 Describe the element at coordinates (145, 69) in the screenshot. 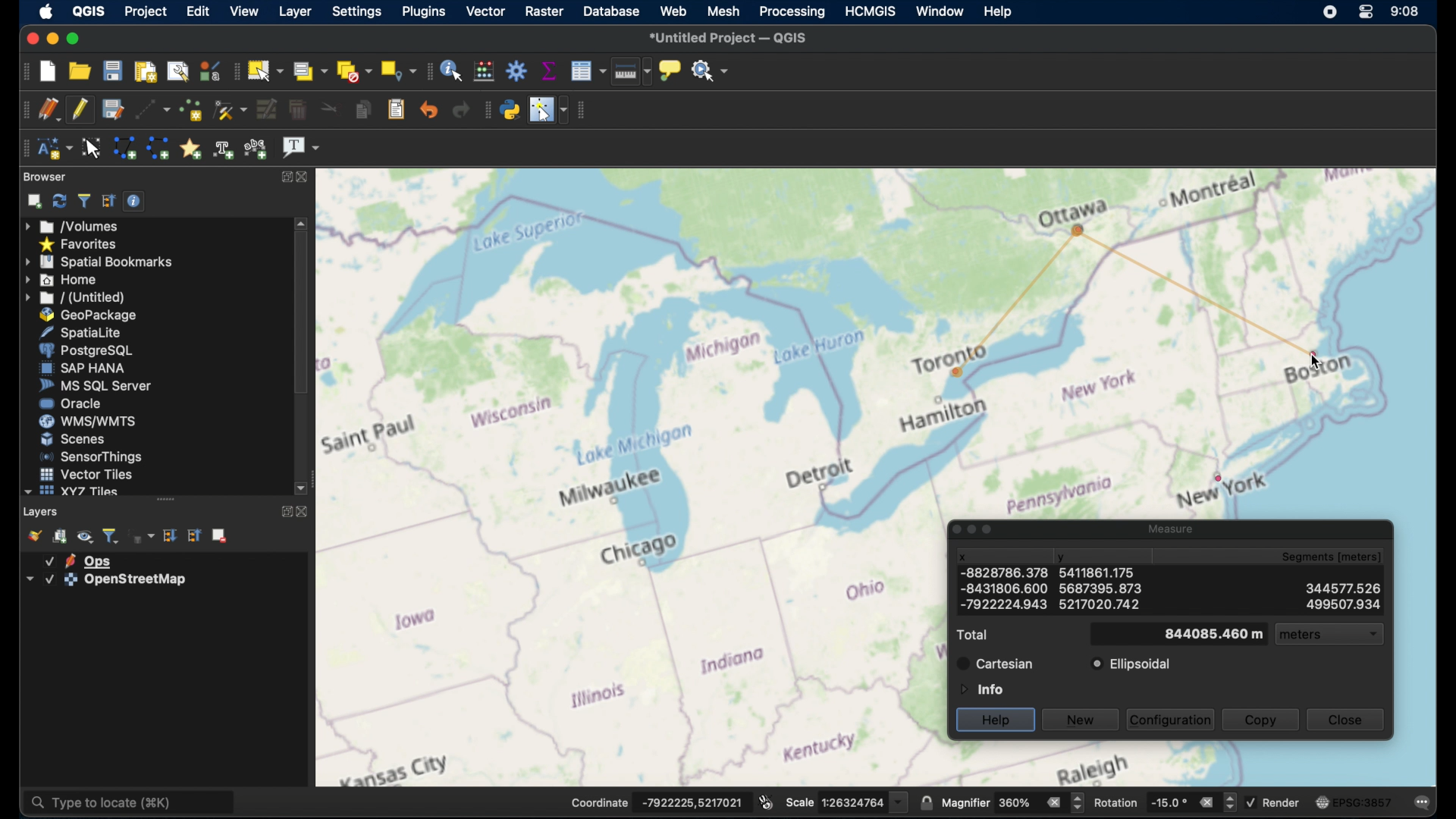

I see `new print layout` at that location.